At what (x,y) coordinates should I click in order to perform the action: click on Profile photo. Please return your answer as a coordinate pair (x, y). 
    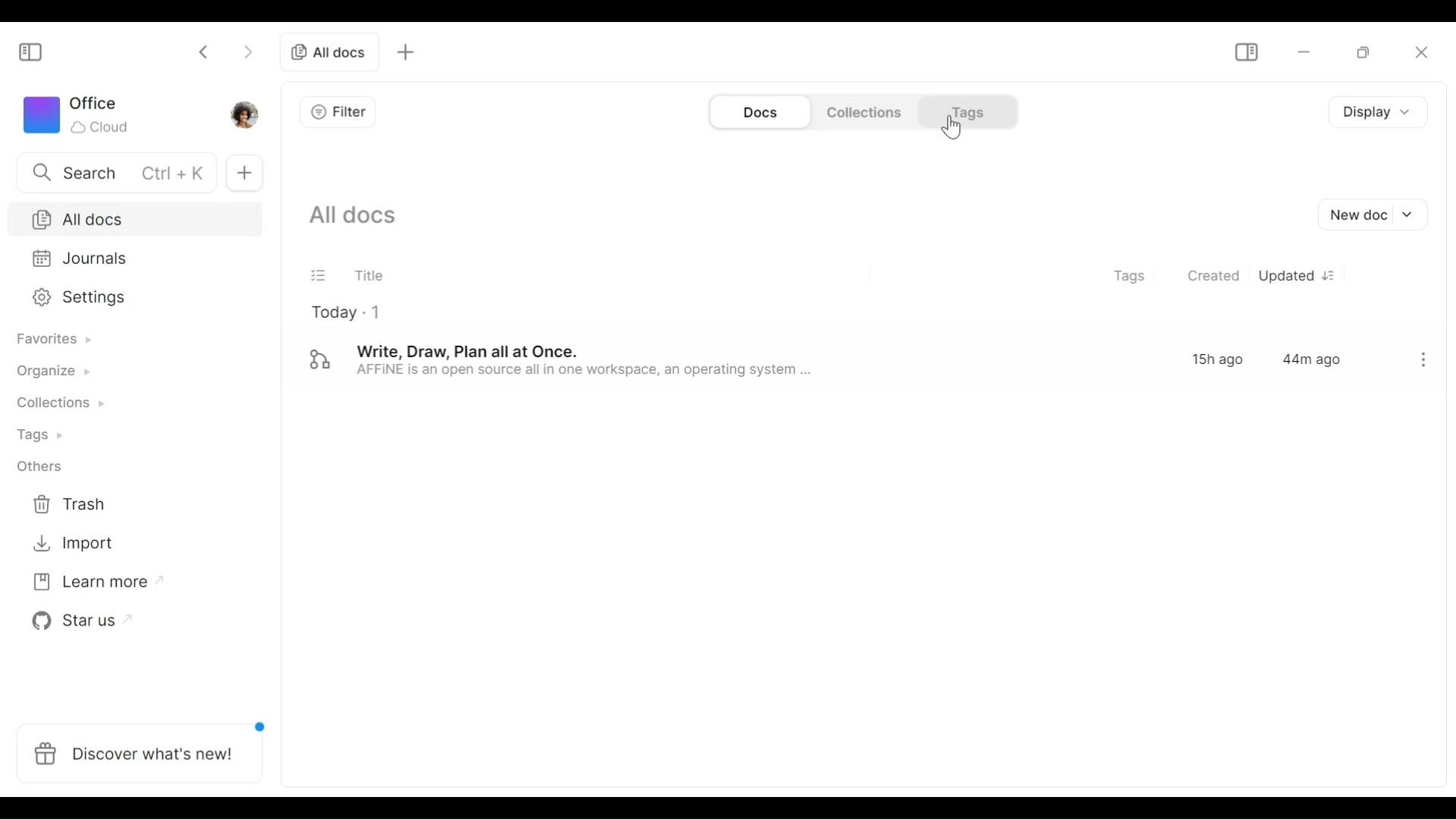
    Looking at the image, I should click on (242, 114).